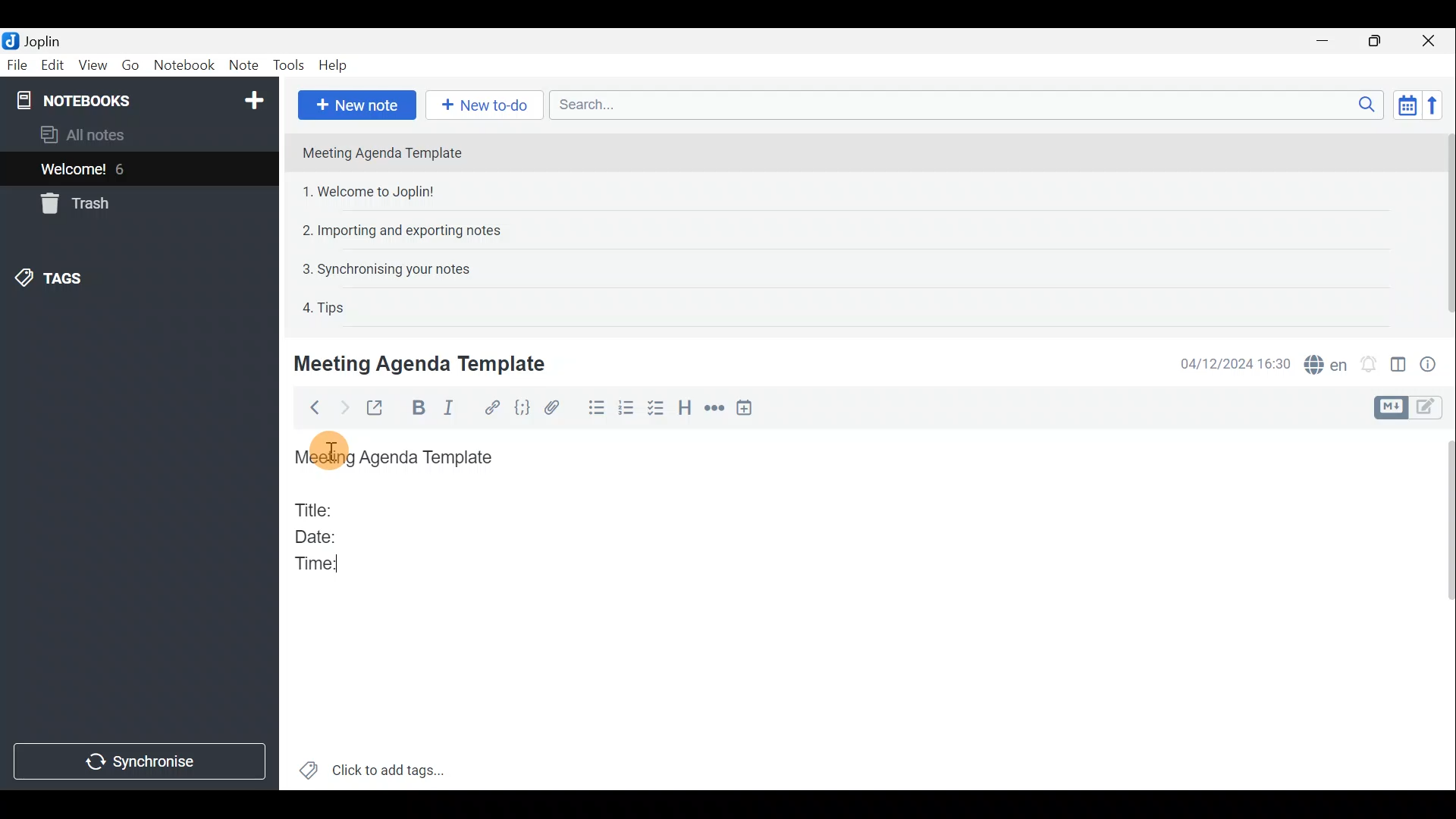 The width and height of the screenshot is (1456, 819). I want to click on Note, so click(242, 62).